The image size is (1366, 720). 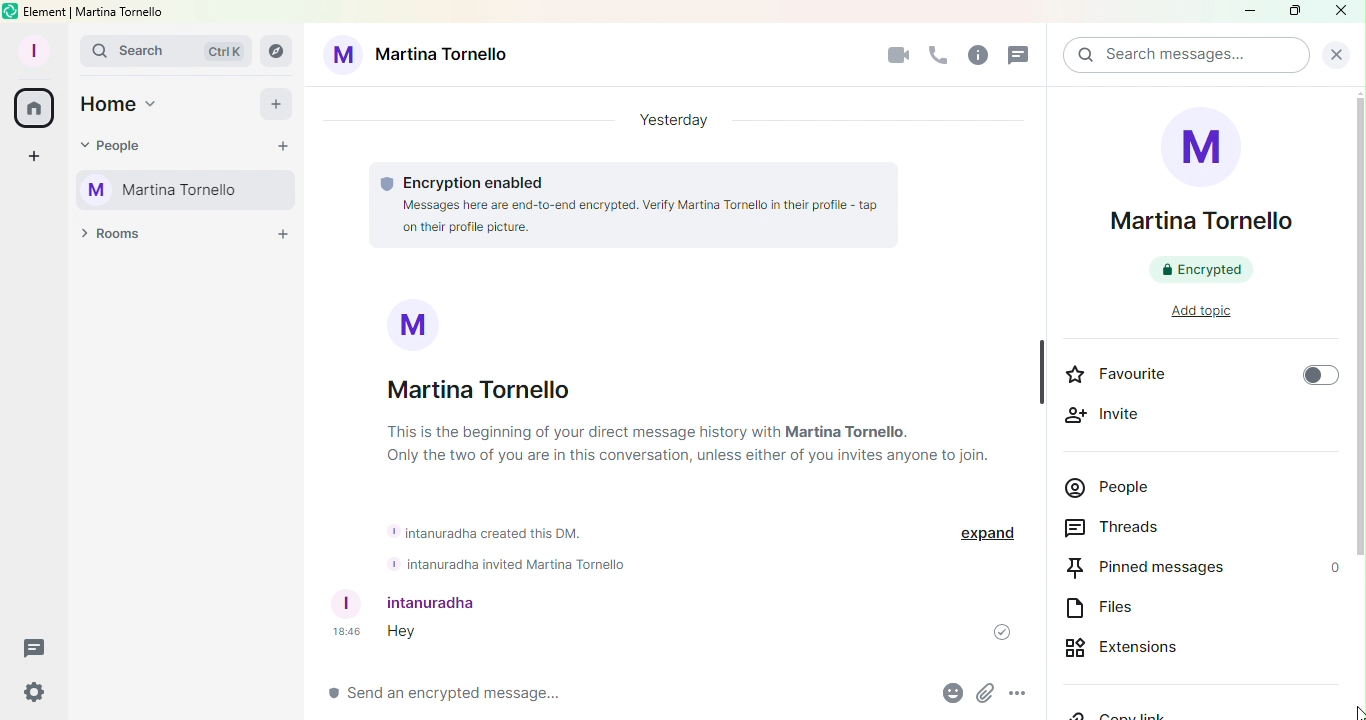 What do you see at coordinates (1335, 54) in the screenshot?
I see `Close` at bounding box center [1335, 54].